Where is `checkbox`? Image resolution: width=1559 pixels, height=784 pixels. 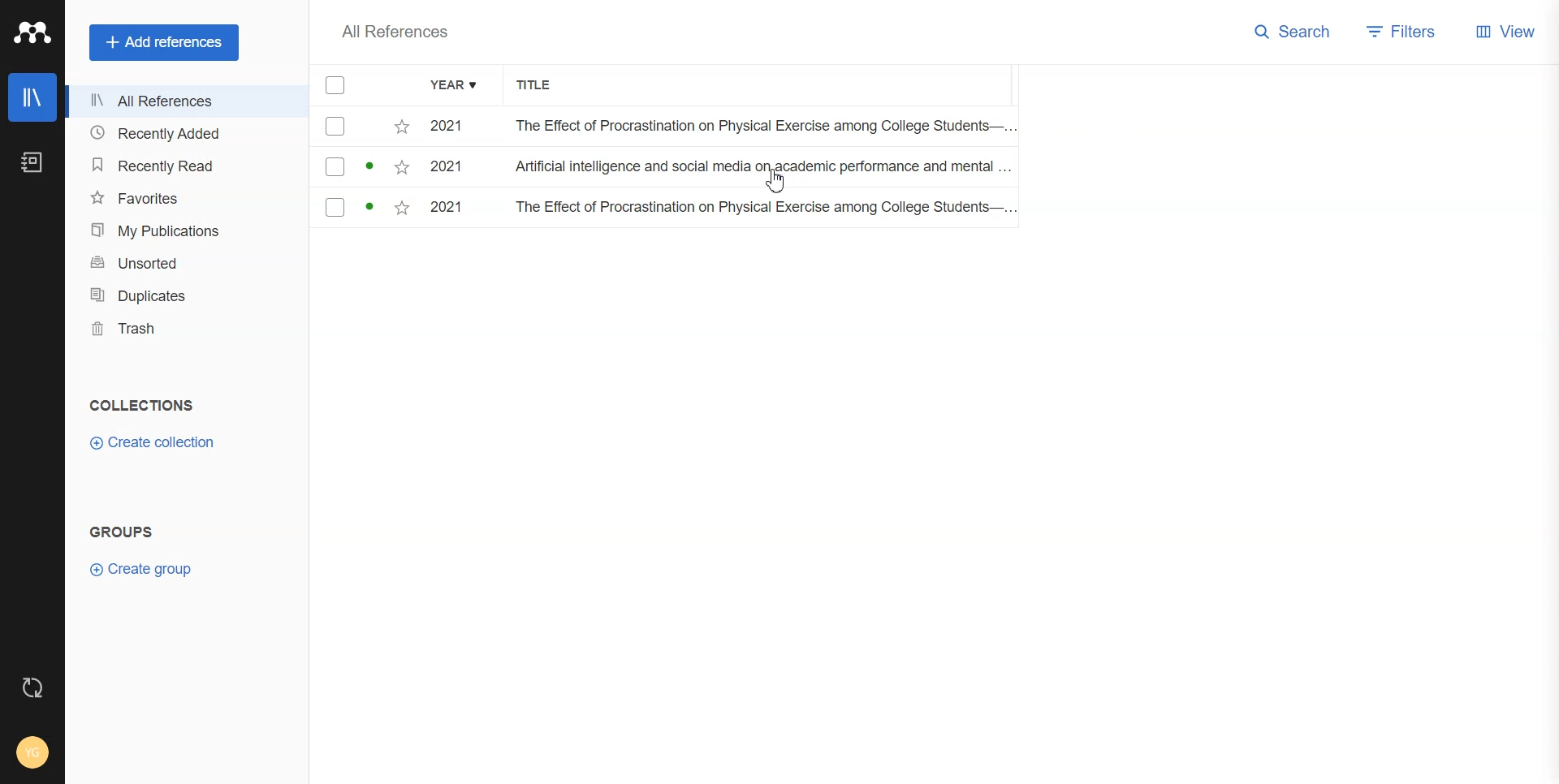 checkbox is located at coordinates (362, 210).